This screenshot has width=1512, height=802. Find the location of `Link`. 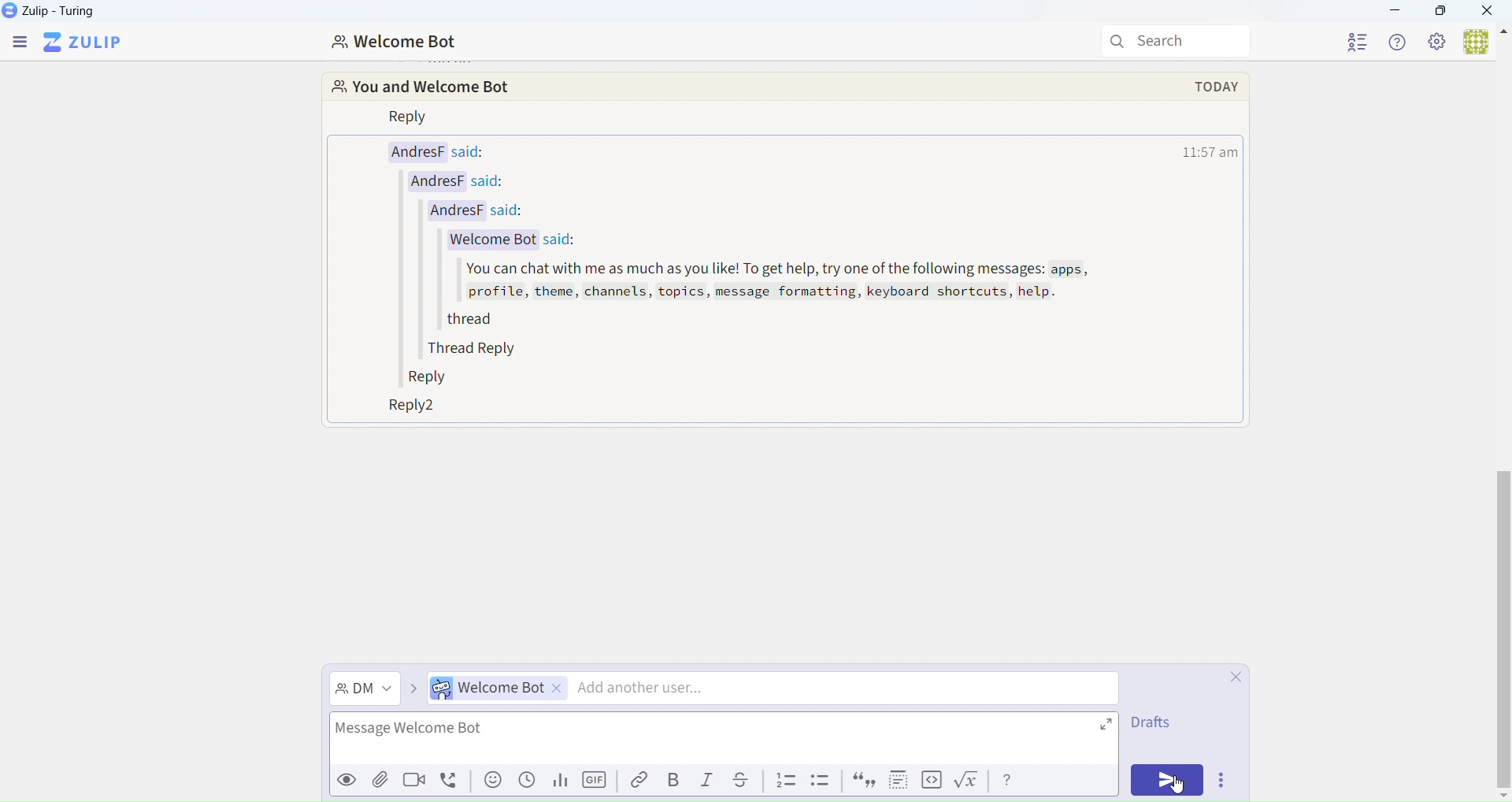

Link is located at coordinates (636, 781).